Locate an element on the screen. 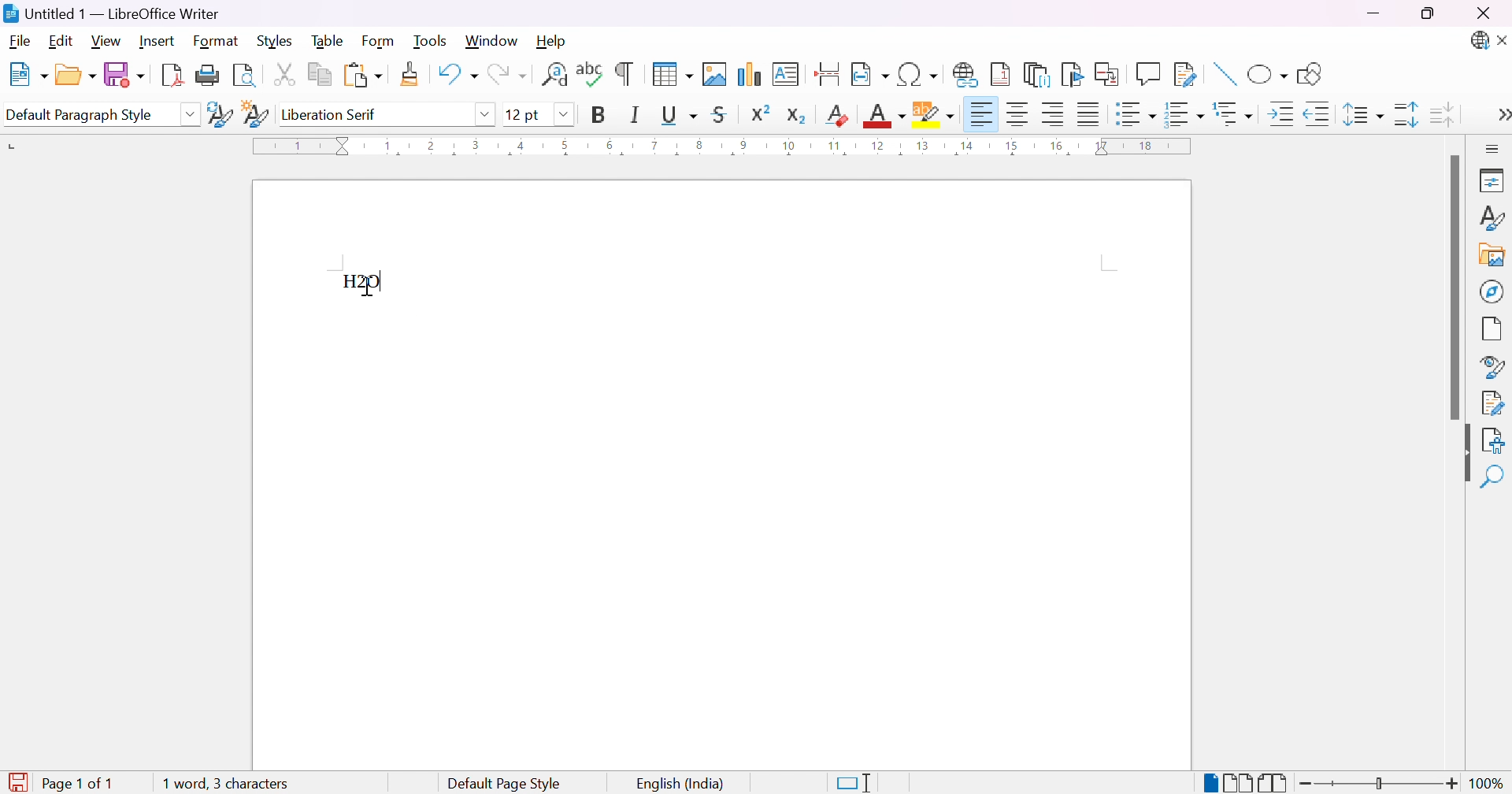 Image resolution: width=1512 pixels, height=794 pixels. Accessibility check is located at coordinates (1492, 440).